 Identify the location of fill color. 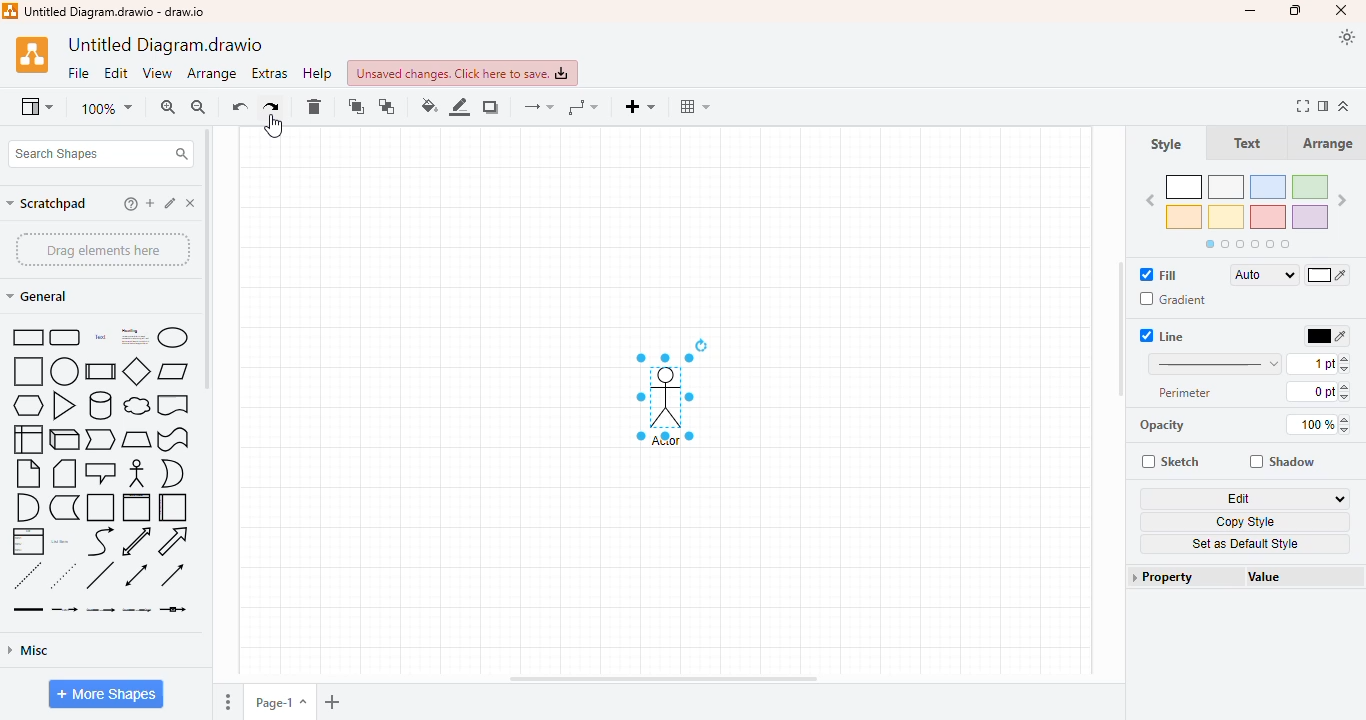
(429, 105).